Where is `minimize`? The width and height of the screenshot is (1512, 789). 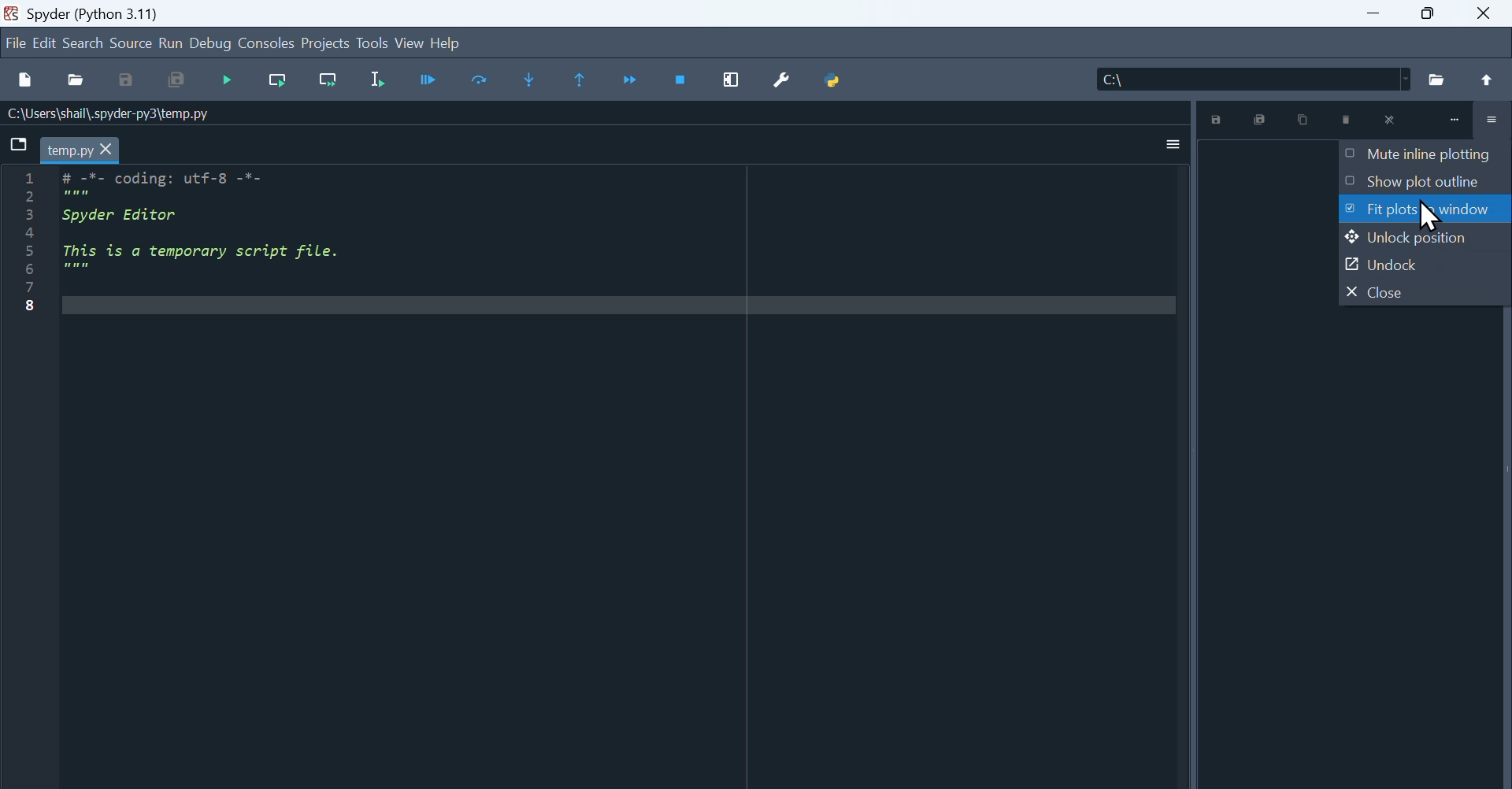 minimize is located at coordinates (1456, 121).